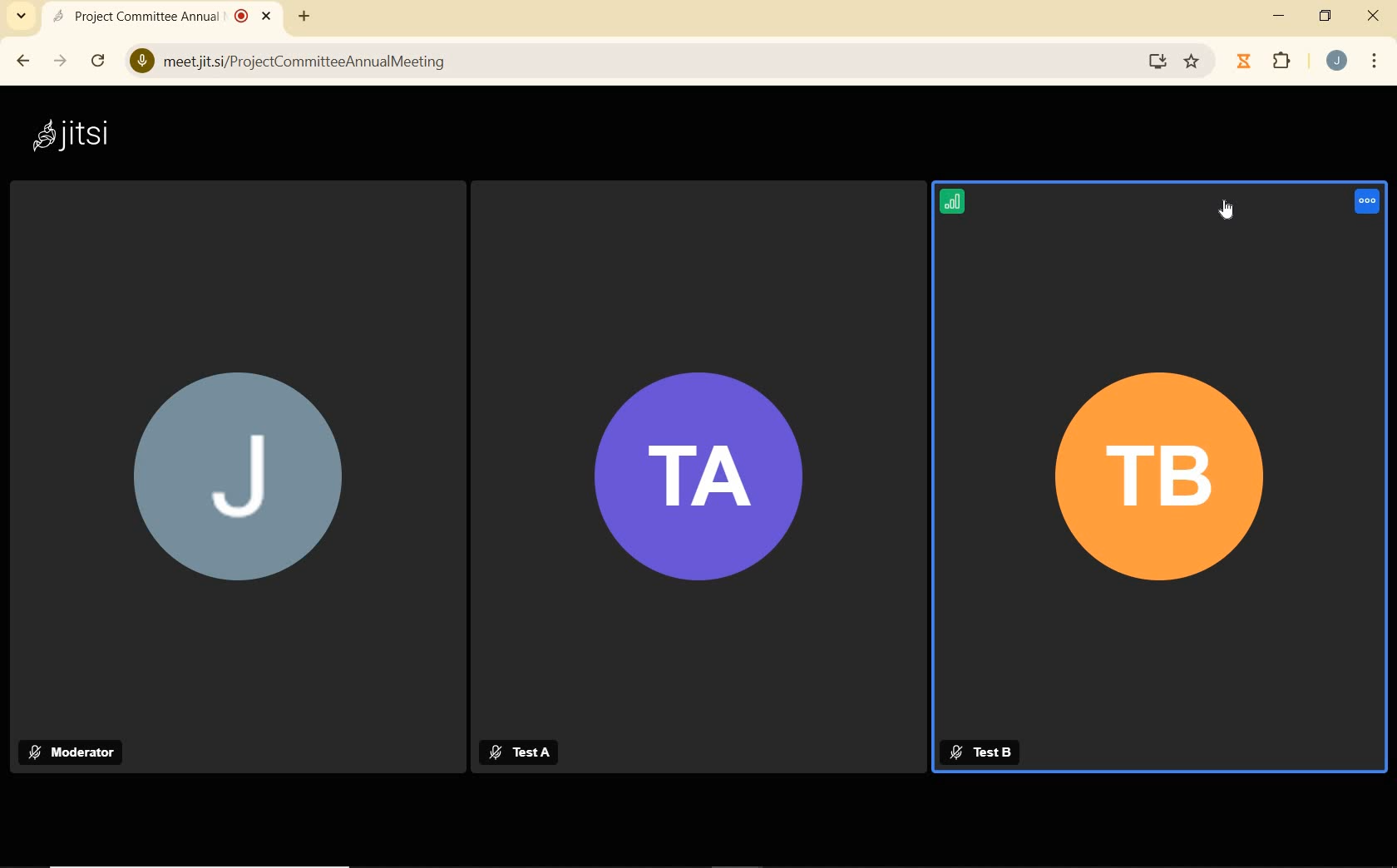 The width and height of the screenshot is (1397, 868). What do you see at coordinates (76, 136) in the screenshot?
I see `Jitsi` at bounding box center [76, 136].